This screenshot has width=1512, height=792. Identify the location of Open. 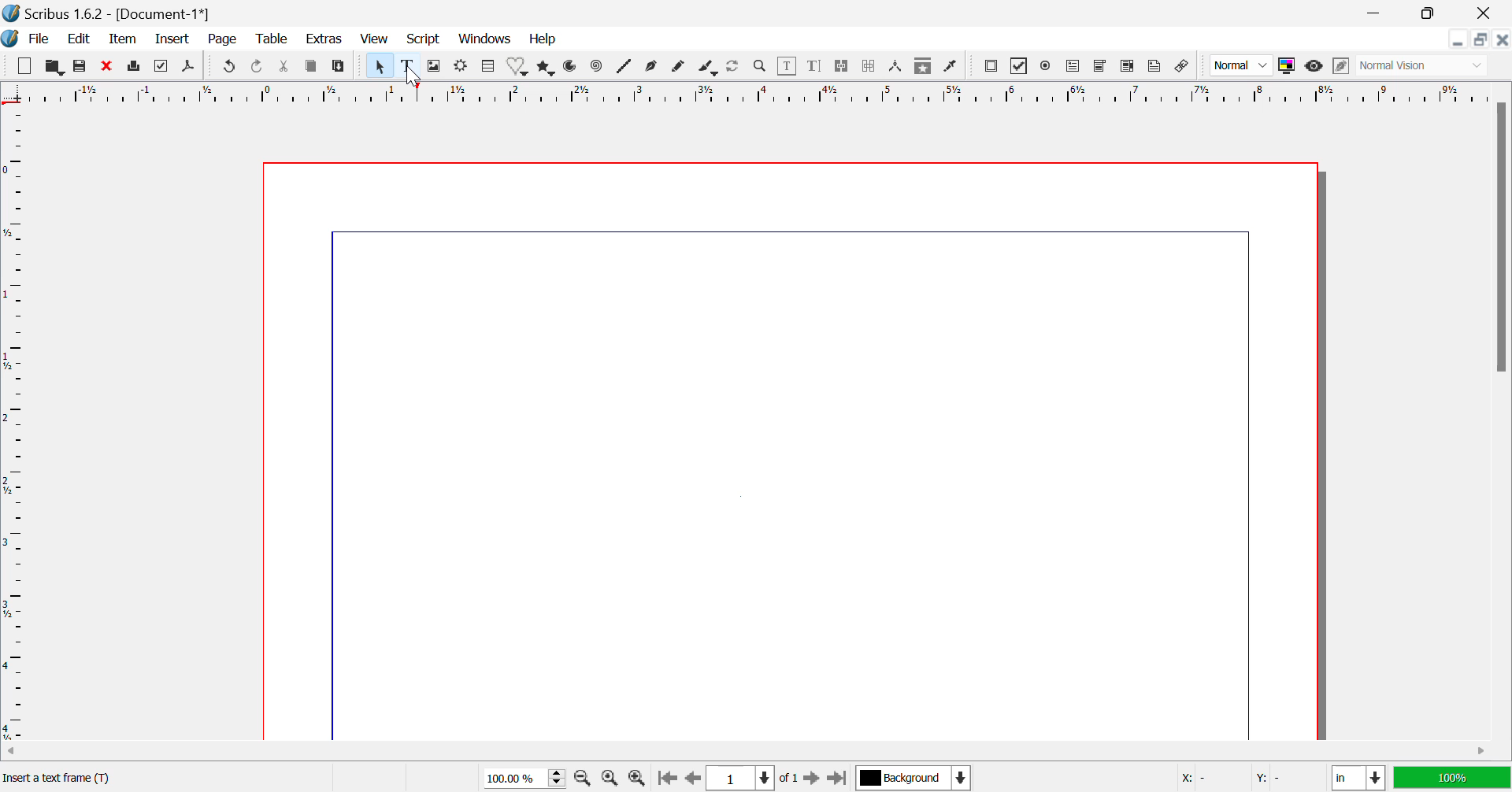
(54, 66).